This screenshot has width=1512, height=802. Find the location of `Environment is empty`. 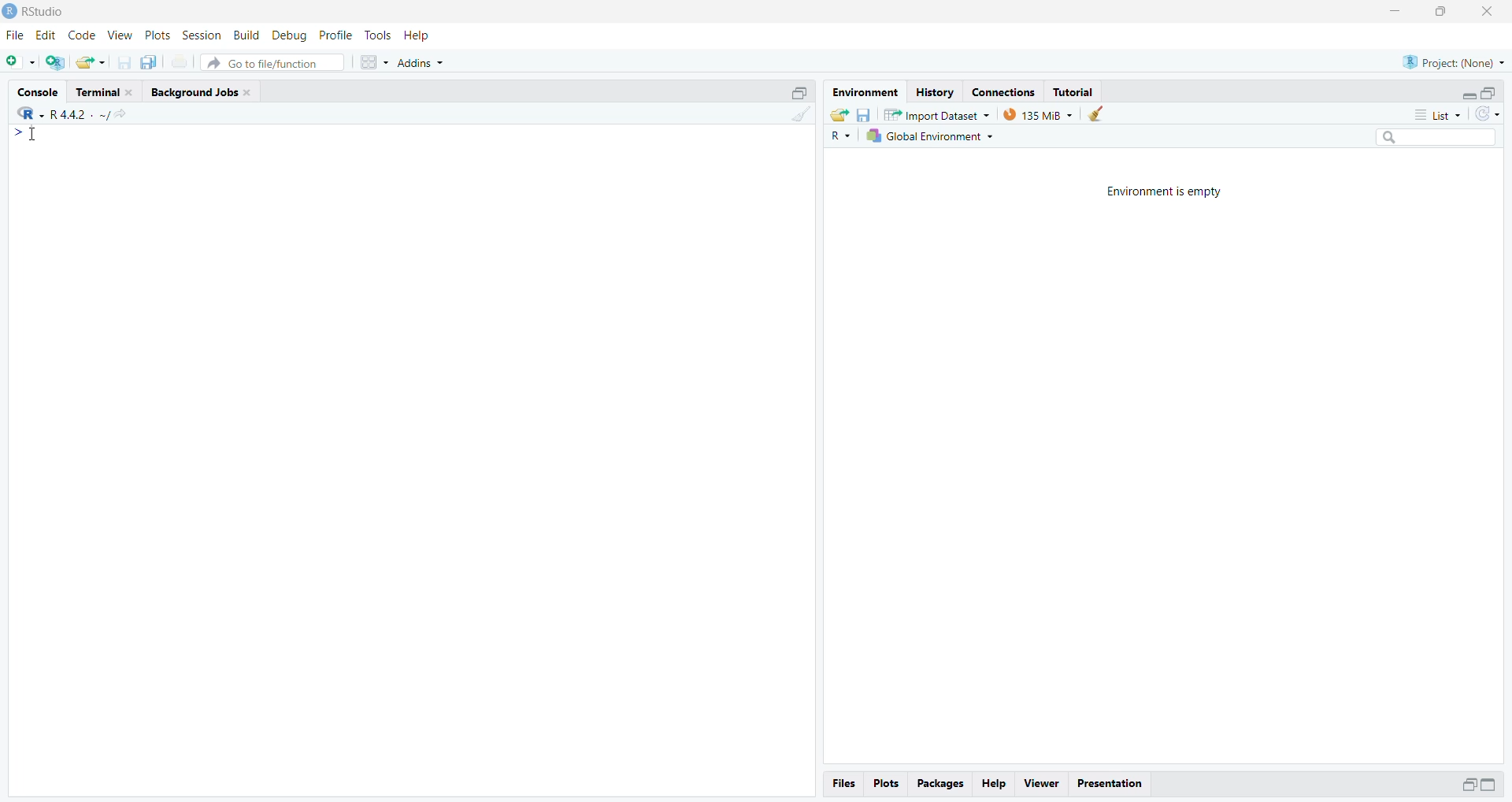

Environment is empty is located at coordinates (1165, 190).